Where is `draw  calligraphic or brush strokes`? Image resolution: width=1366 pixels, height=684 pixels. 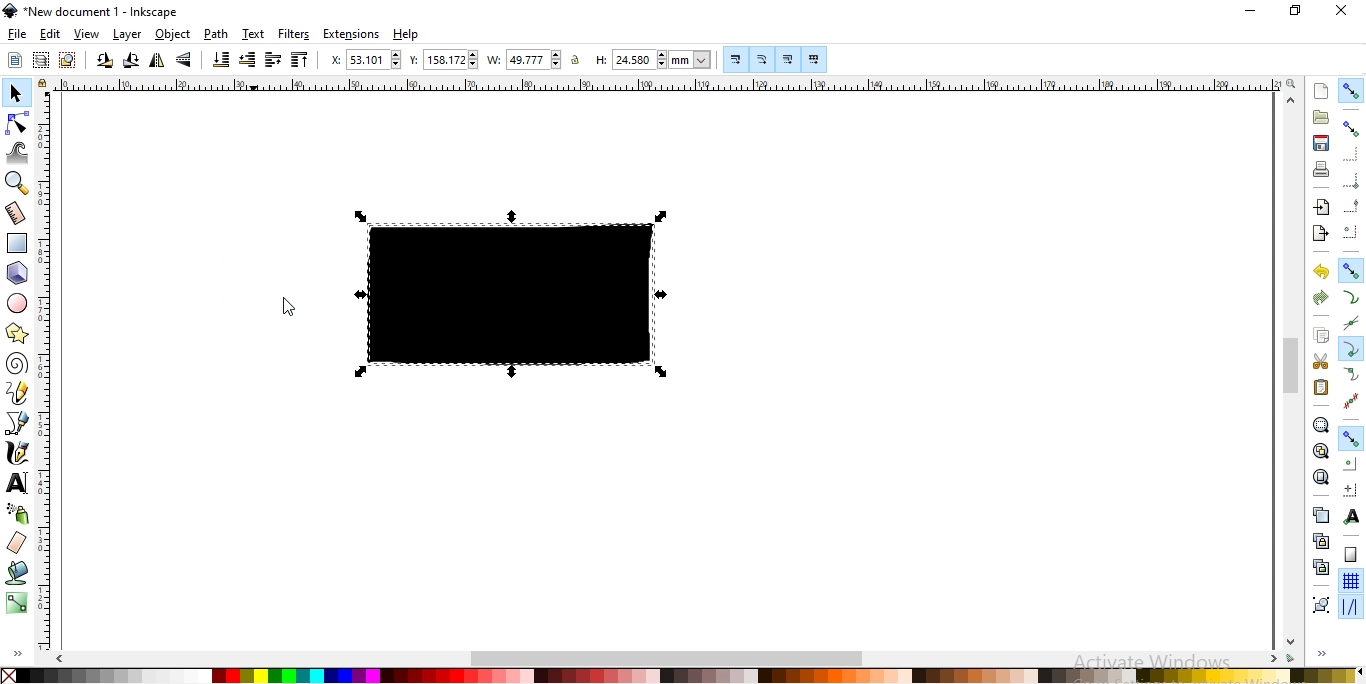 draw  calligraphic or brush strokes is located at coordinates (17, 453).